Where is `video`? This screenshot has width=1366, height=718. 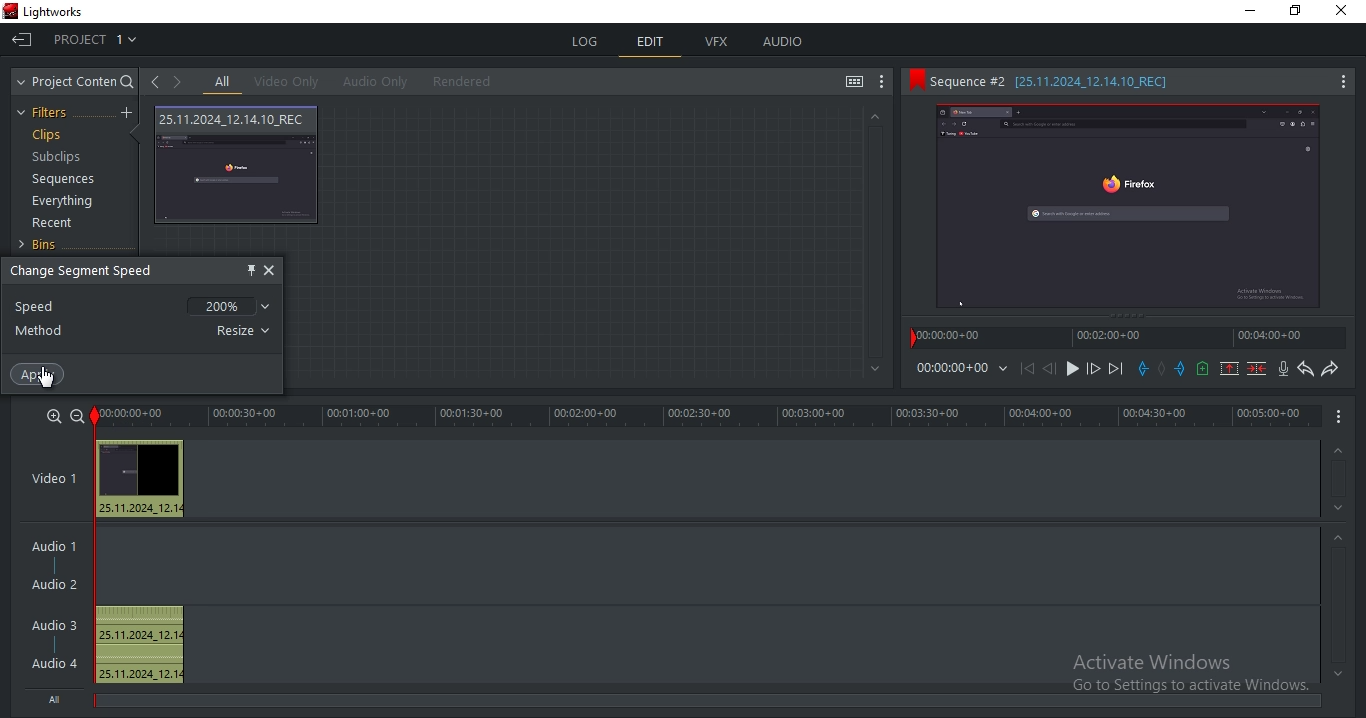 video is located at coordinates (238, 166).